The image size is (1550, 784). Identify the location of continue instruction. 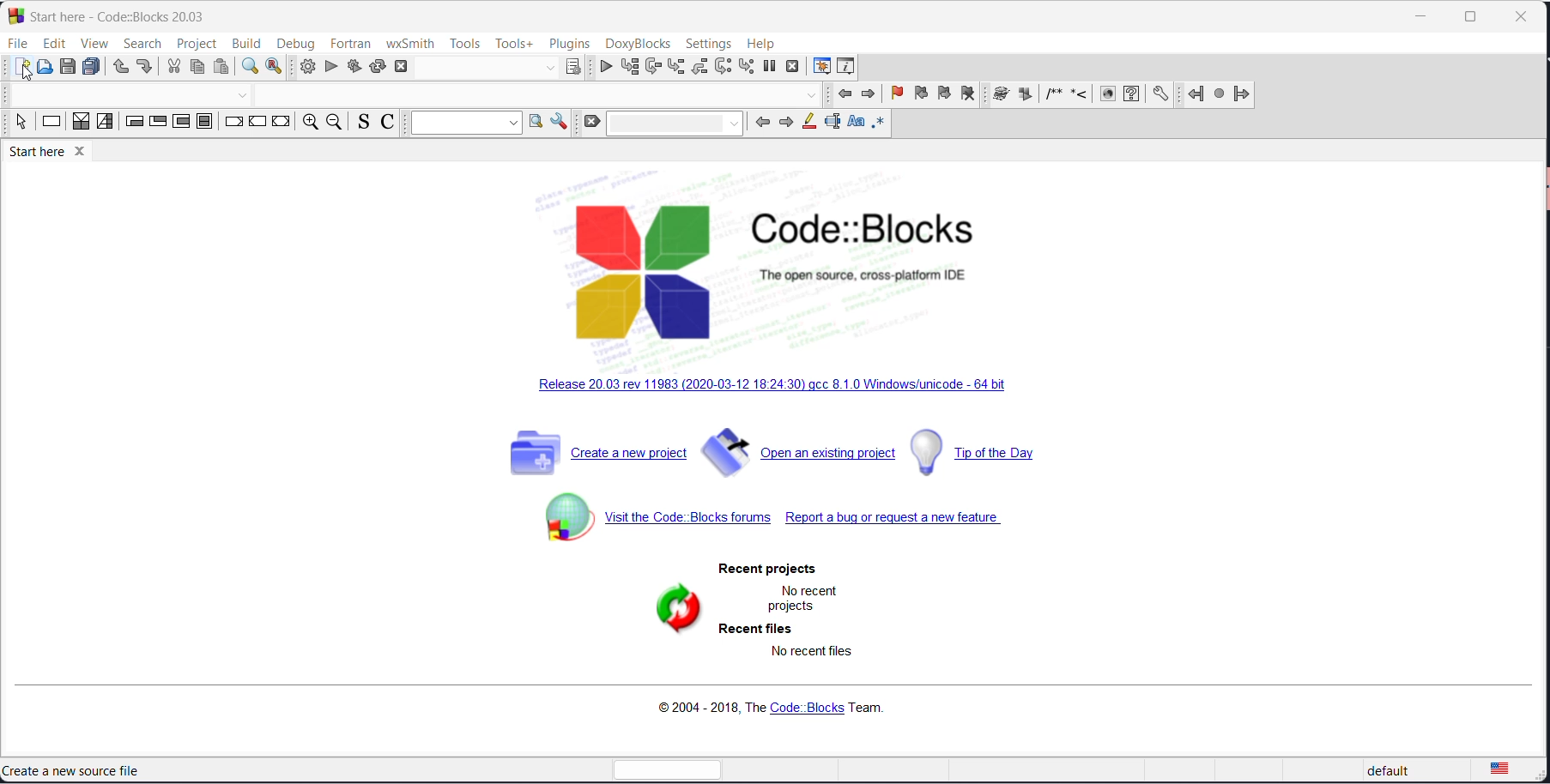
(257, 124).